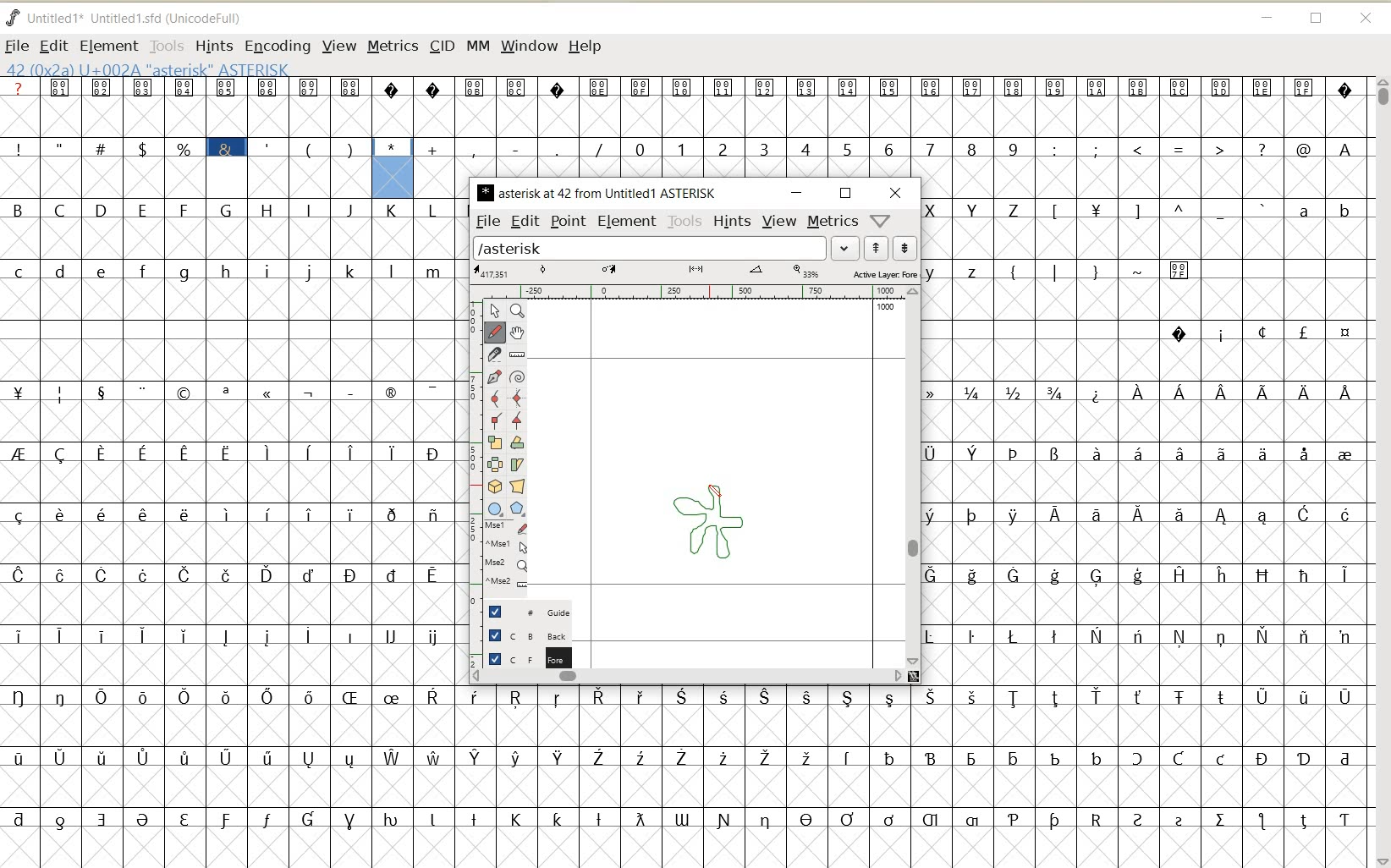 This screenshot has height=868, width=1391. I want to click on add a point, then drag out its control points, so click(492, 376).